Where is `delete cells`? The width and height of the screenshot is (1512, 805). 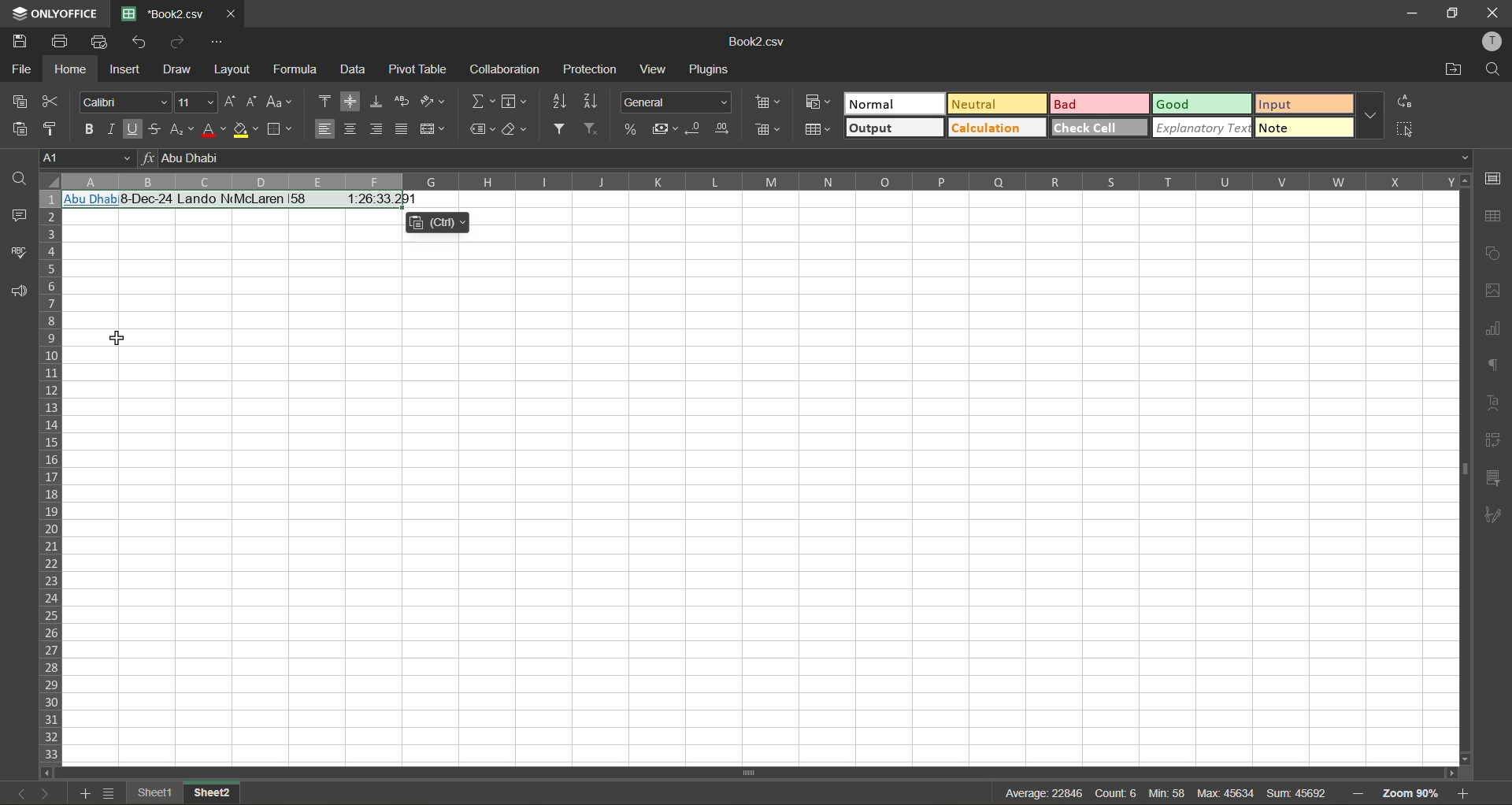 delete cells is located at coordinates (767, 132).